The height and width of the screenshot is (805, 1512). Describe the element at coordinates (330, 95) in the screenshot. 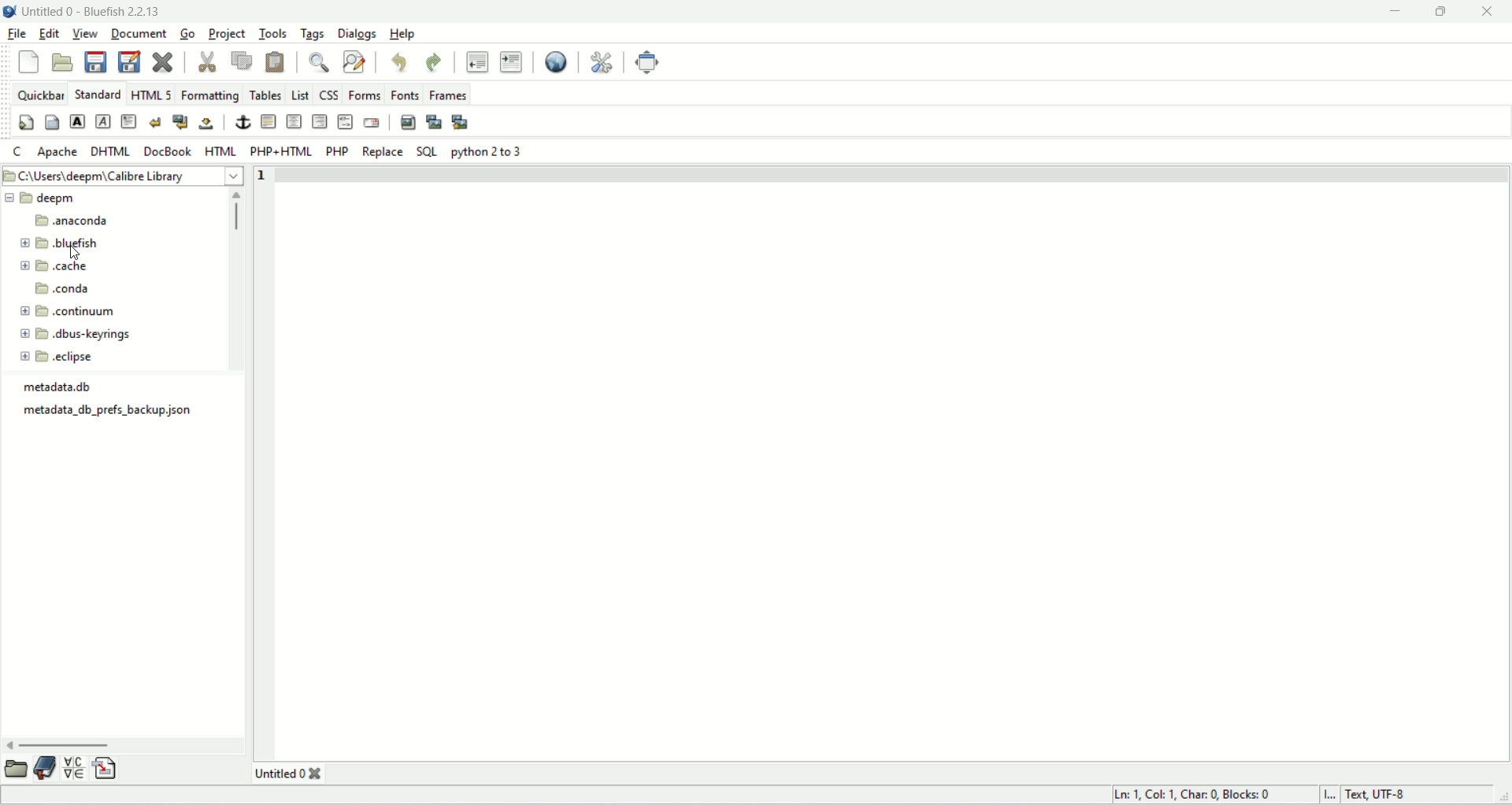

I see `CSS` at that location.